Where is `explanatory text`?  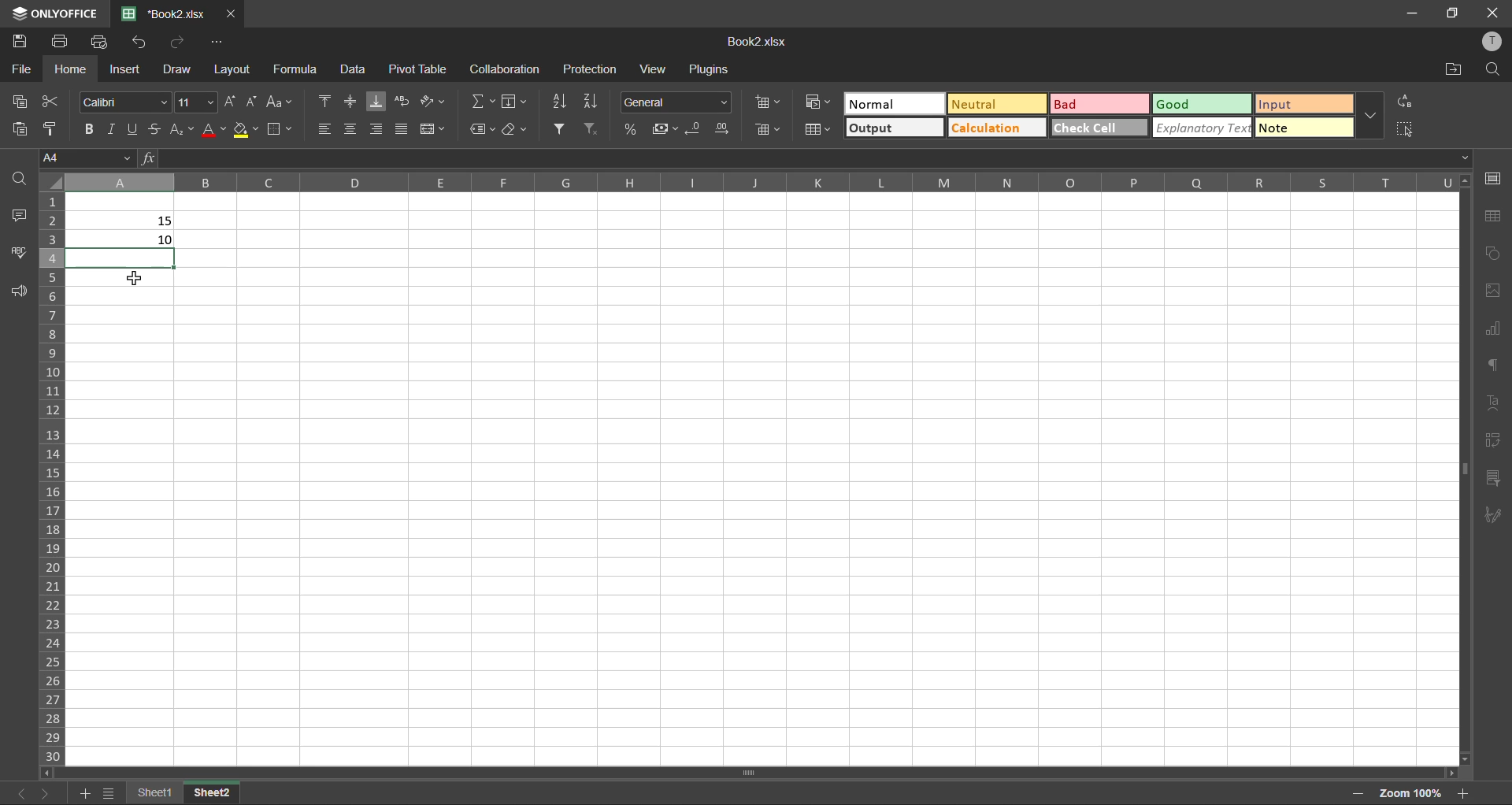
explanatory text is located at coordinates (1202, 127).